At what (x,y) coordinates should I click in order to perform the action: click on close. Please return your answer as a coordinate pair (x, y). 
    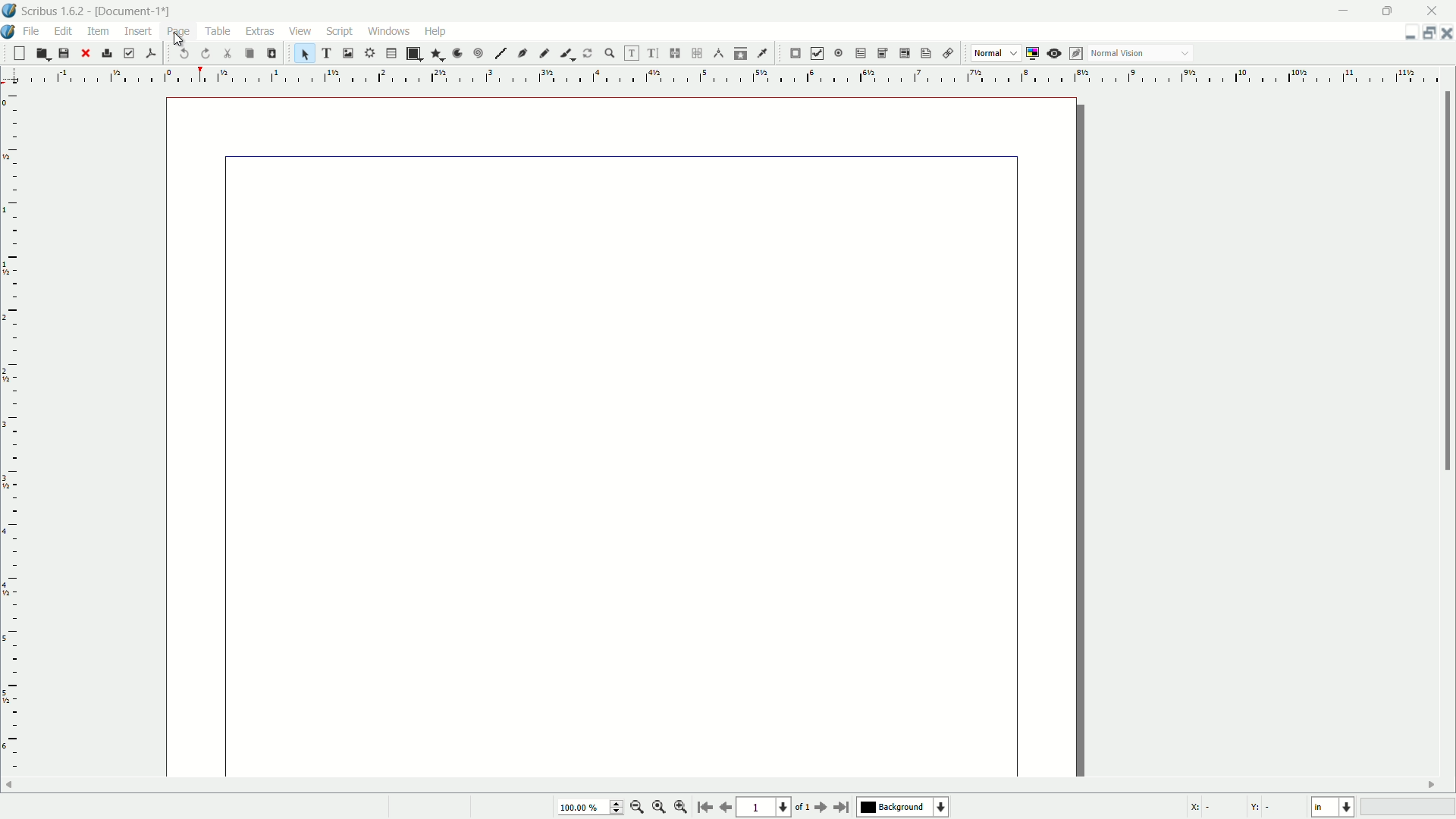
    Looking at the image, I should click on (85, 53).